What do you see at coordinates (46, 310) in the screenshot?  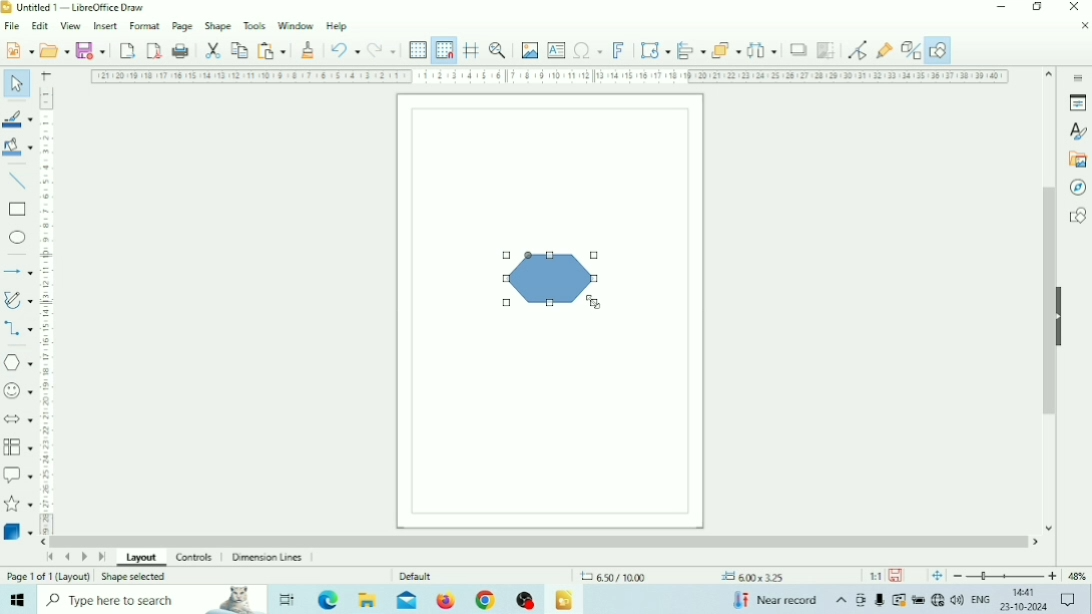 I see `Vertical scale` at bounding box center [46, 310].